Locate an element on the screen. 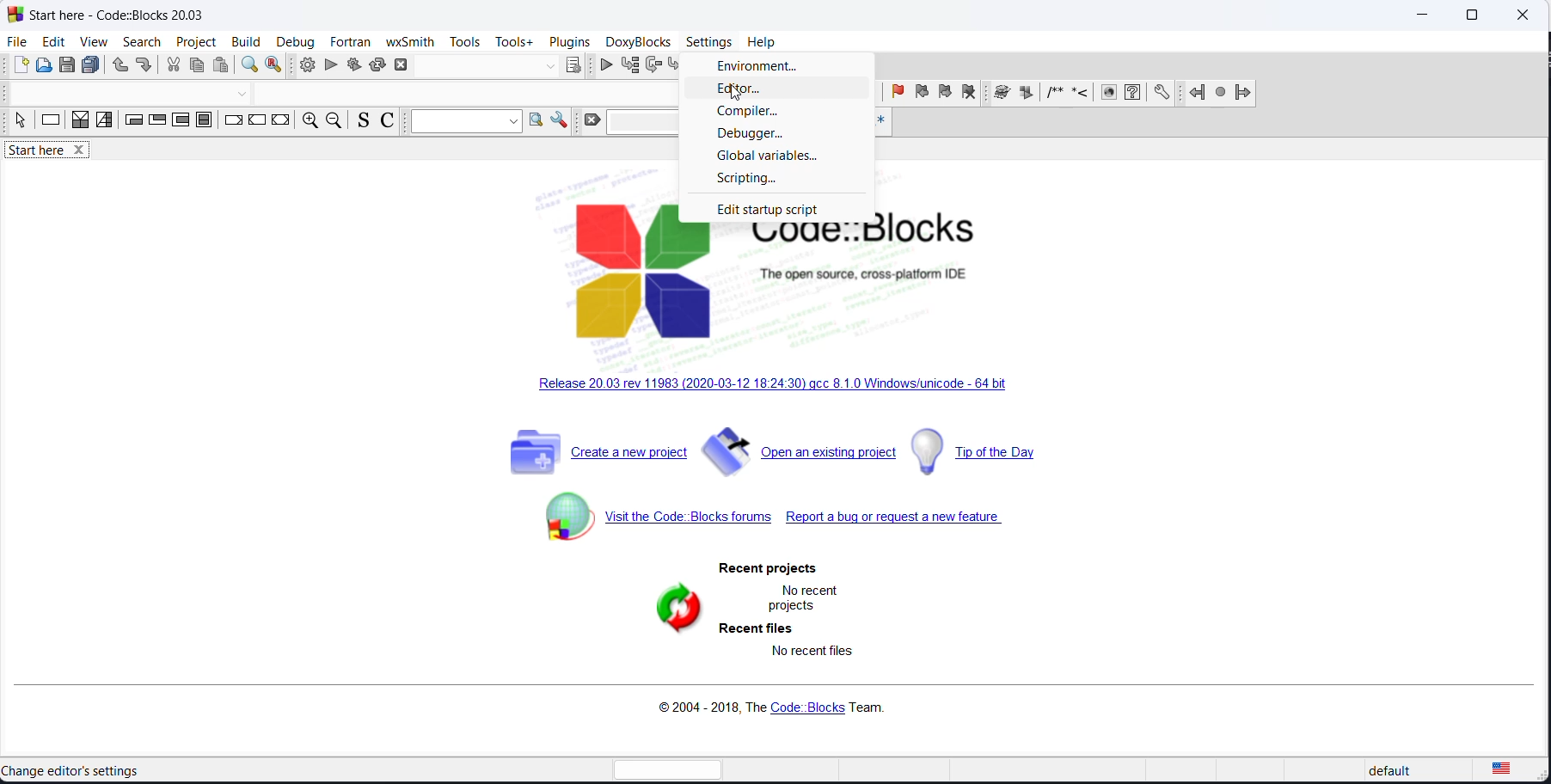 The width and height of the screenshot is (1551, 784). dropdown is located at coordinates (548, 67).